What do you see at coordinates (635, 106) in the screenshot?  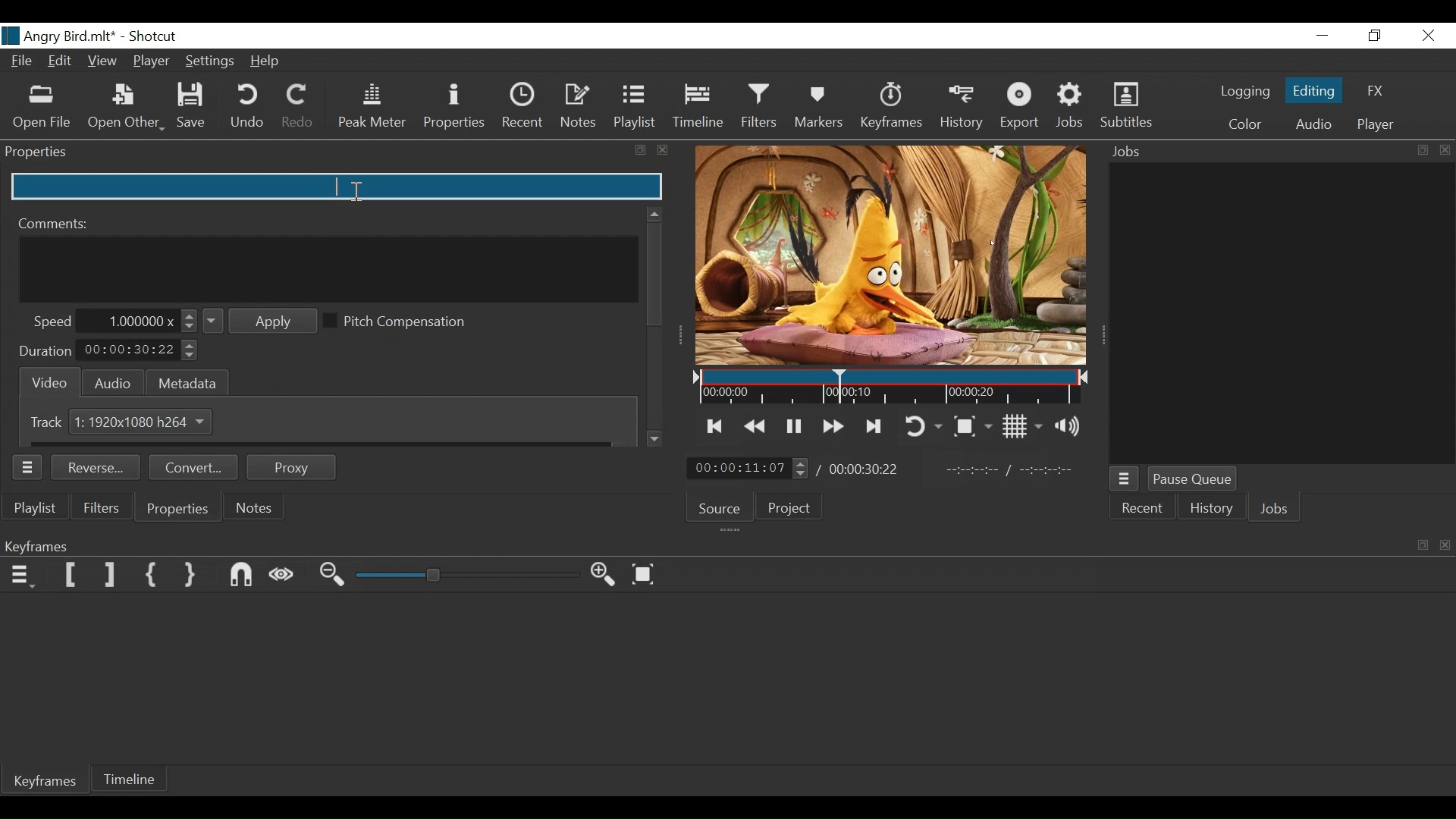 I see `Playlist` at bounding box center [635, 106].